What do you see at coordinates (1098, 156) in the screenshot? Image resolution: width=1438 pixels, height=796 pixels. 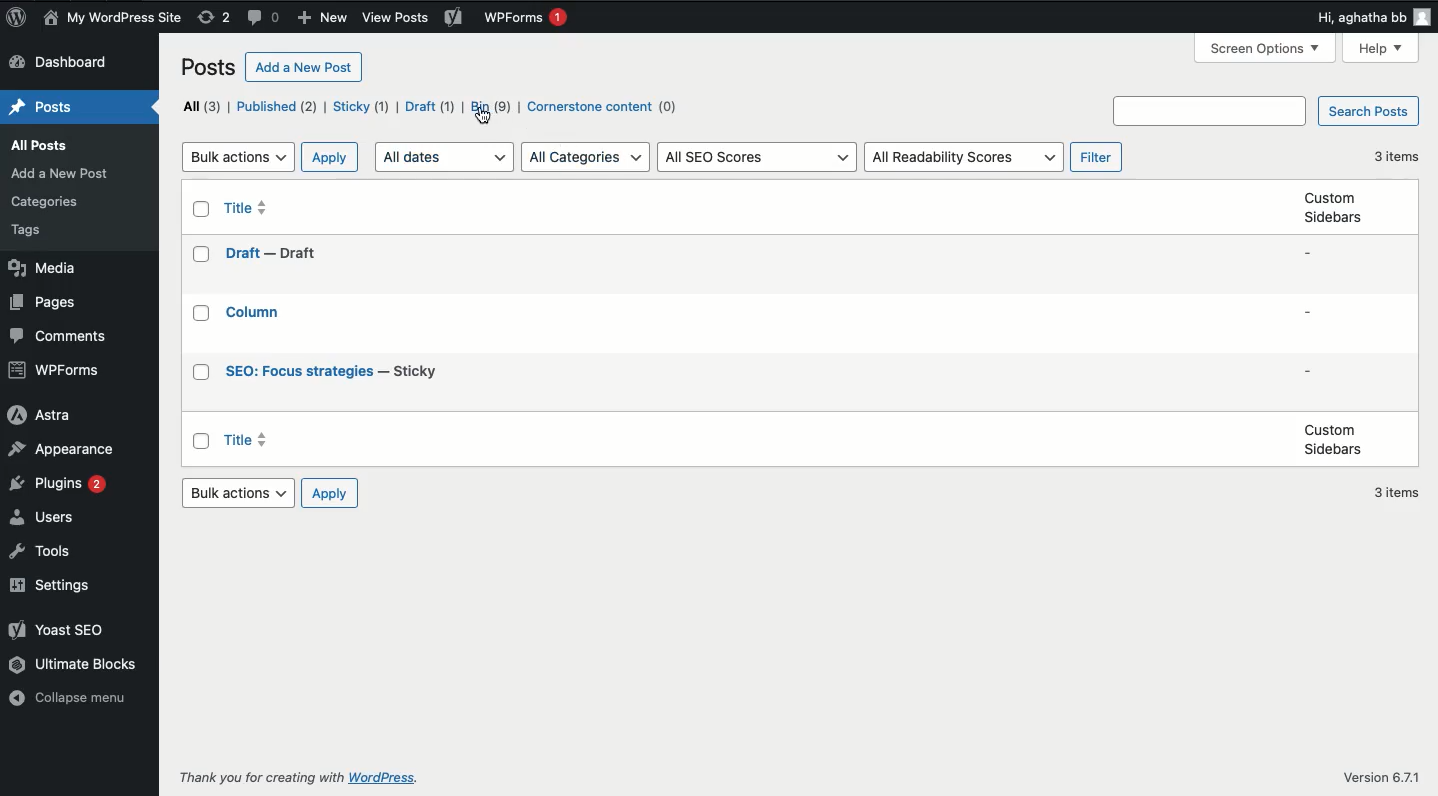 I see `Filter` at bounding box center [1098, 156].